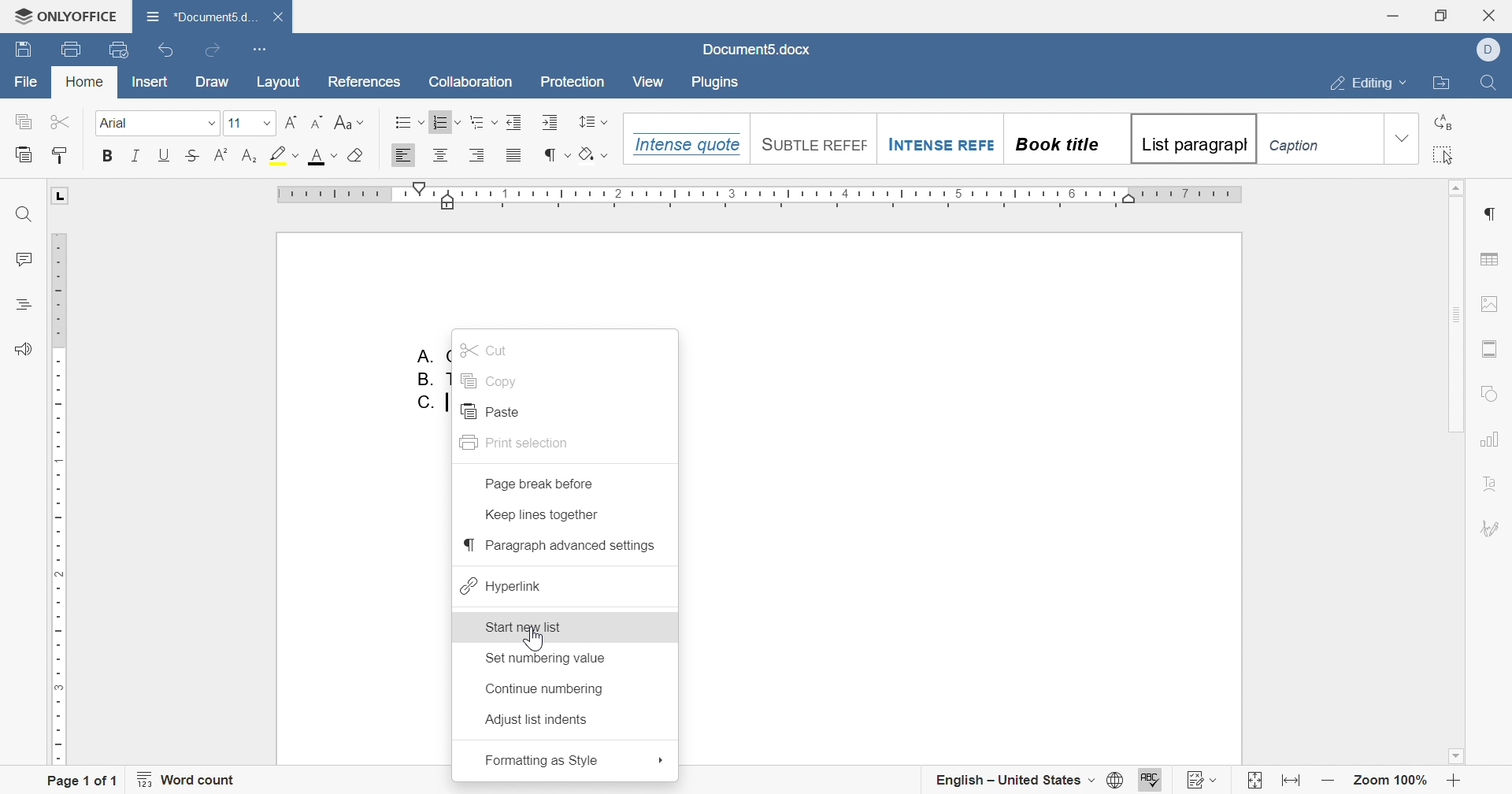  I want to click on Clear style, so click(358, 155).